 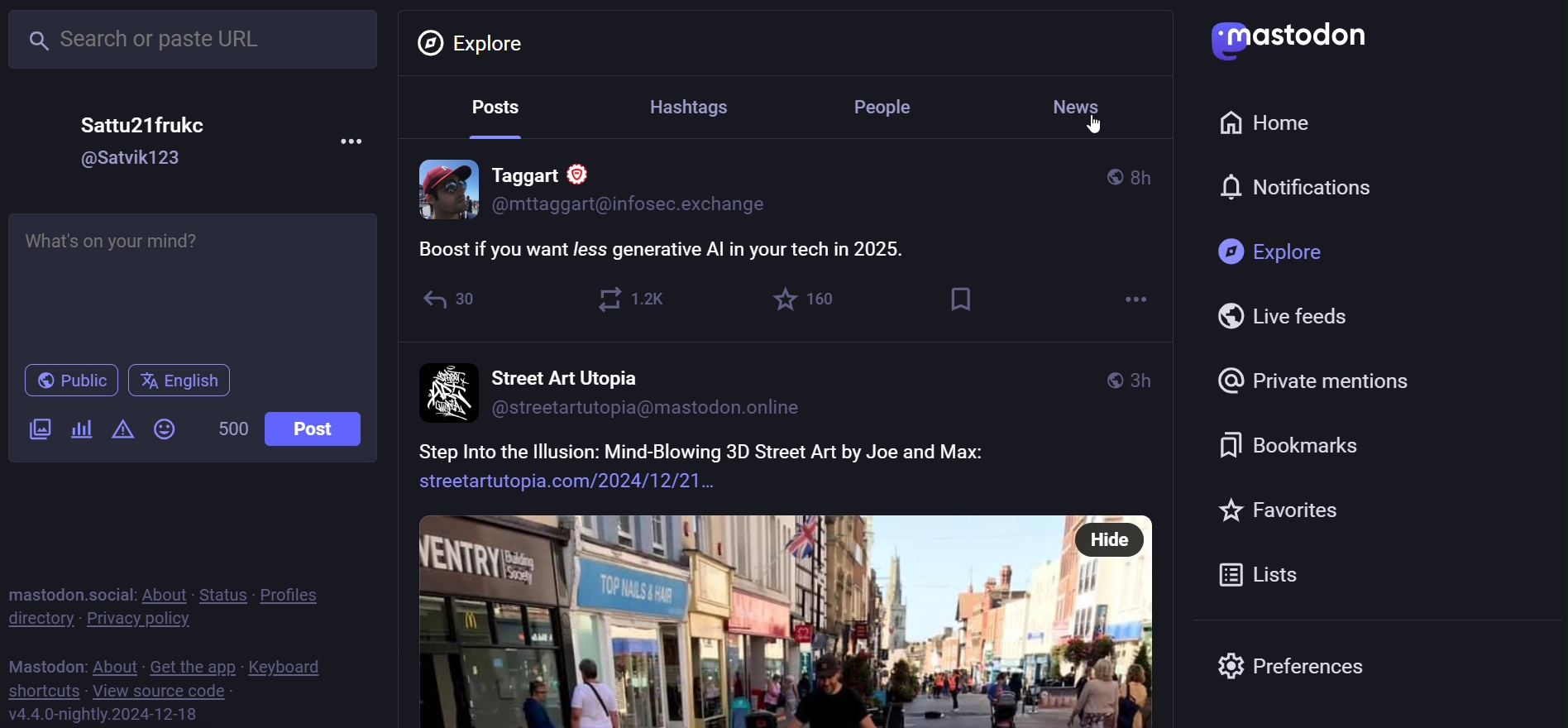 I want to click on public, so click(x=1104, y=380).